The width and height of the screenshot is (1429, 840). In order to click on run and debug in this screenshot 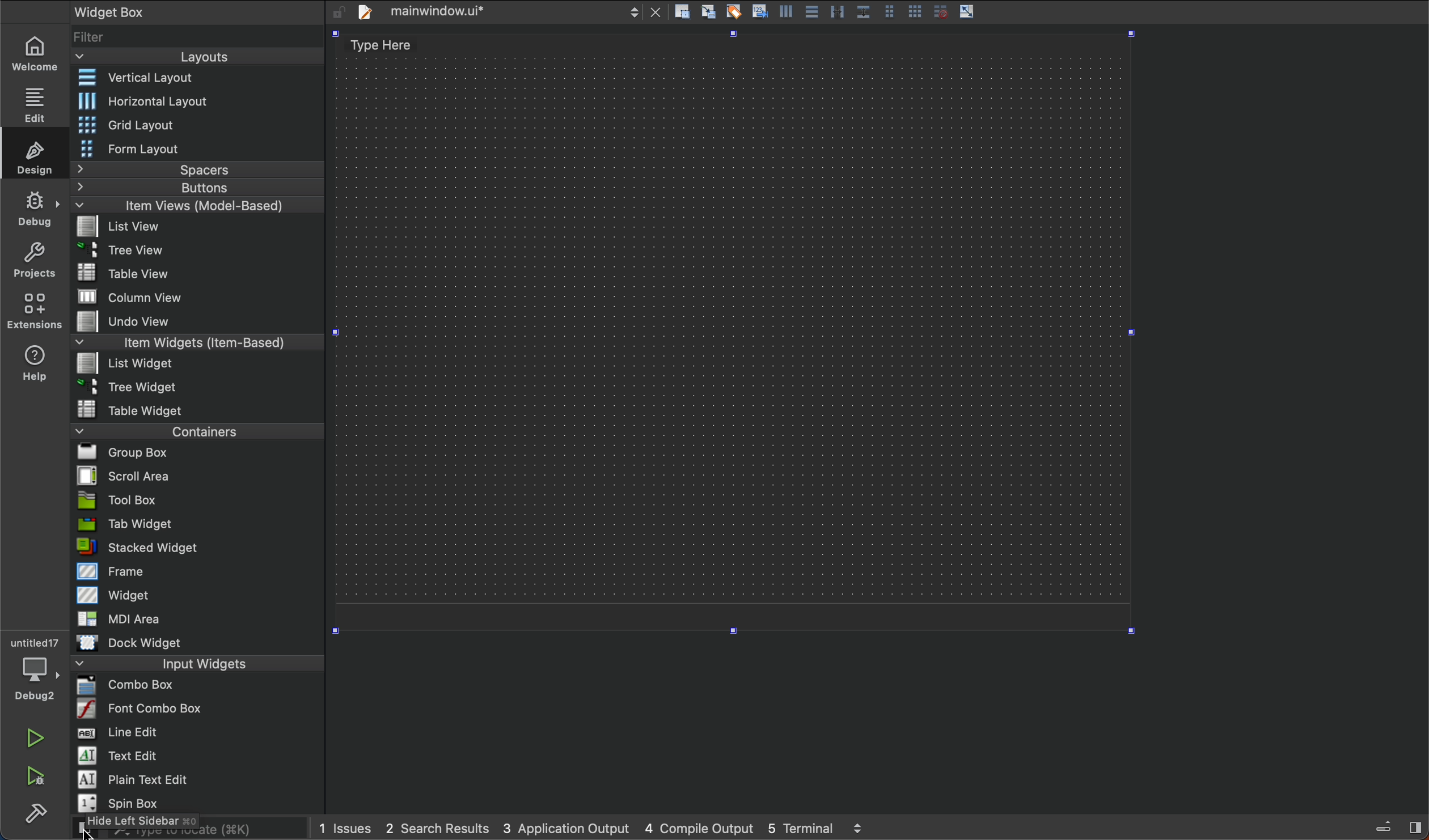, I will do `click(34, 776)`.